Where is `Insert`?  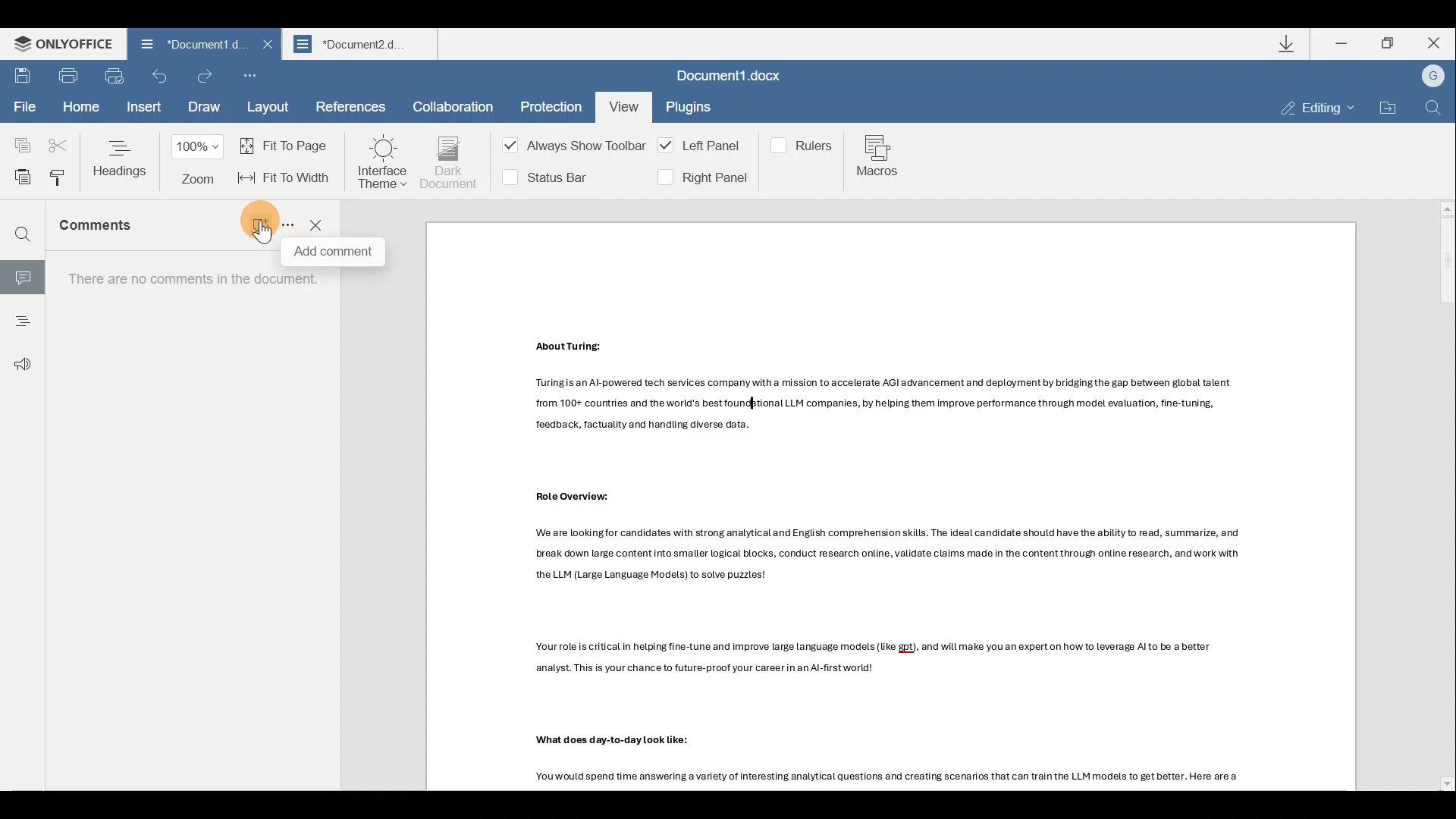 Insert is located at coordinates (142, 109).